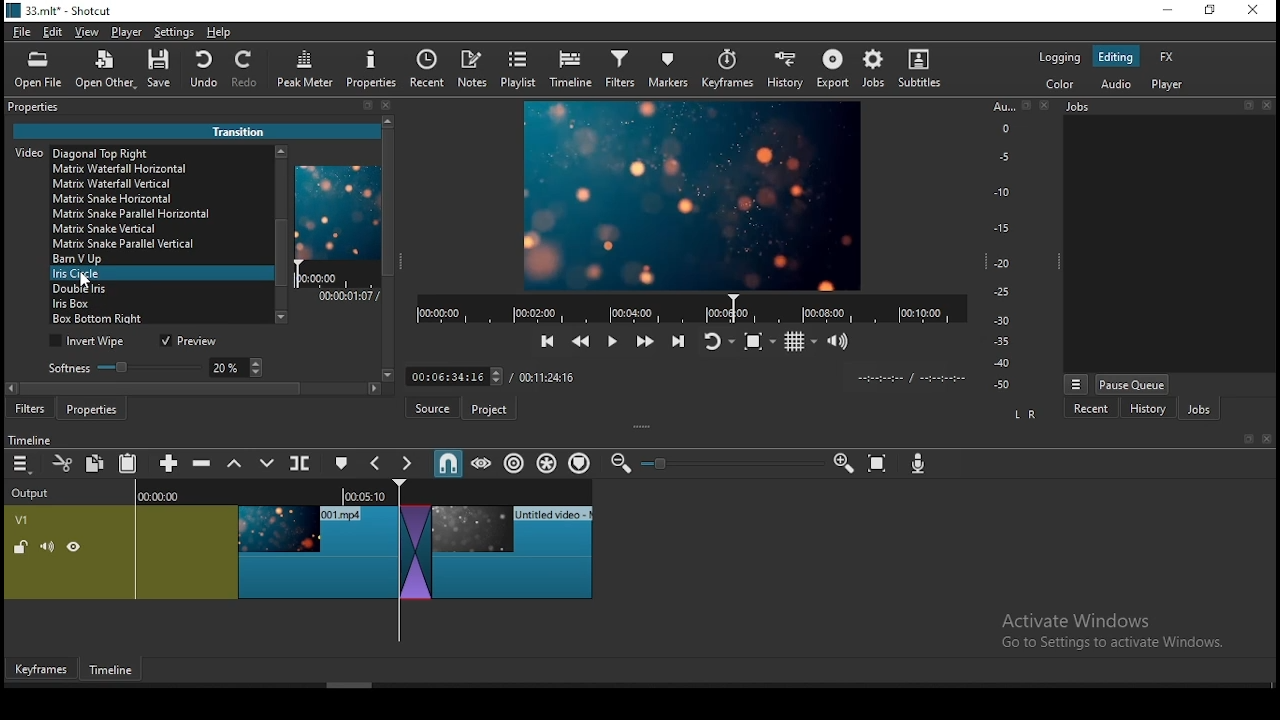 The image size is (1280, 720). What do you see at coordinates (156, 274) in the screenshot?
I see `iris circle` at bounding box center [156, 274].